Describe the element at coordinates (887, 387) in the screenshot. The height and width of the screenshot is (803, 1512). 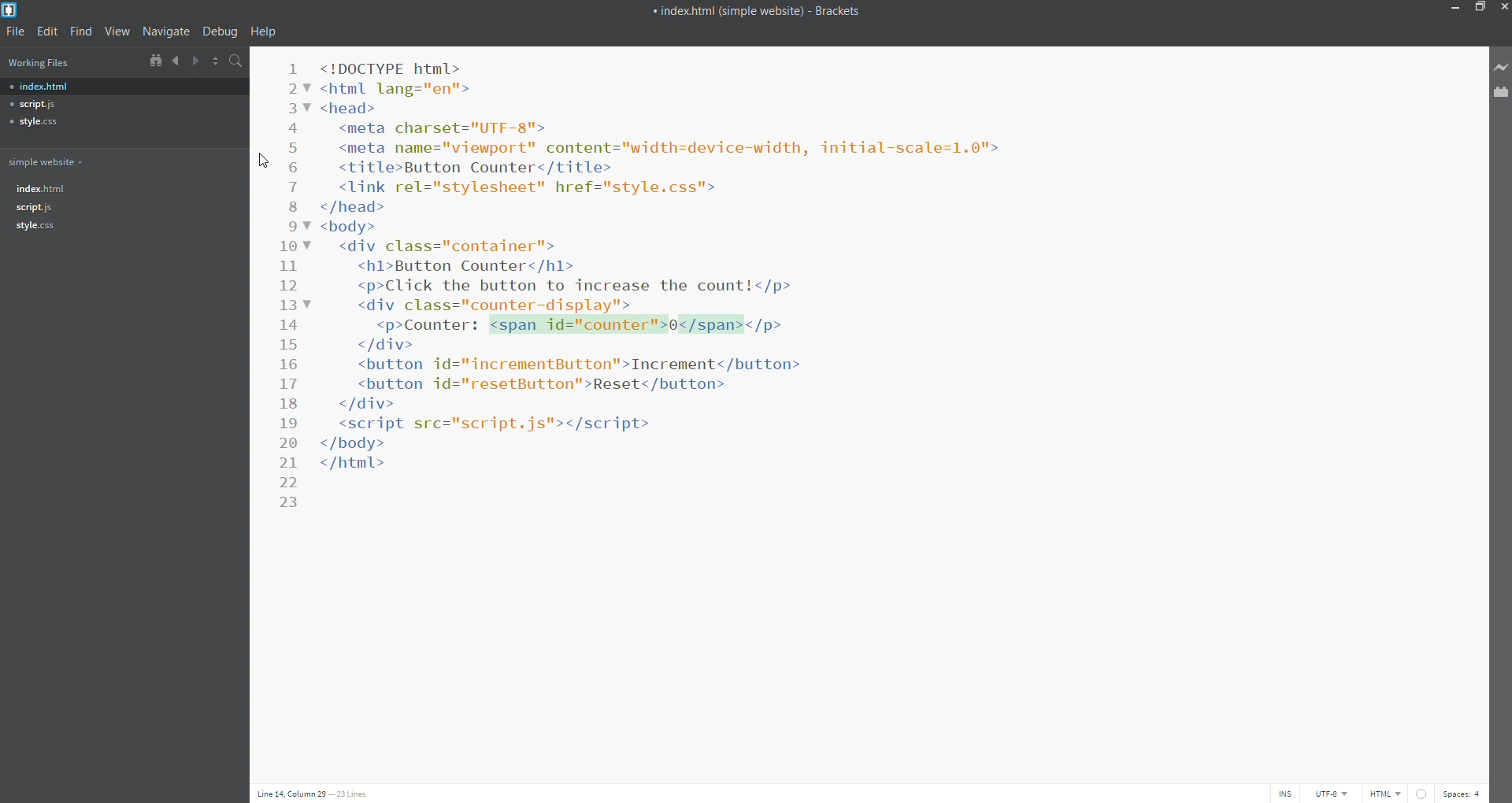
I see `code editor with simple html counter code` at that location.